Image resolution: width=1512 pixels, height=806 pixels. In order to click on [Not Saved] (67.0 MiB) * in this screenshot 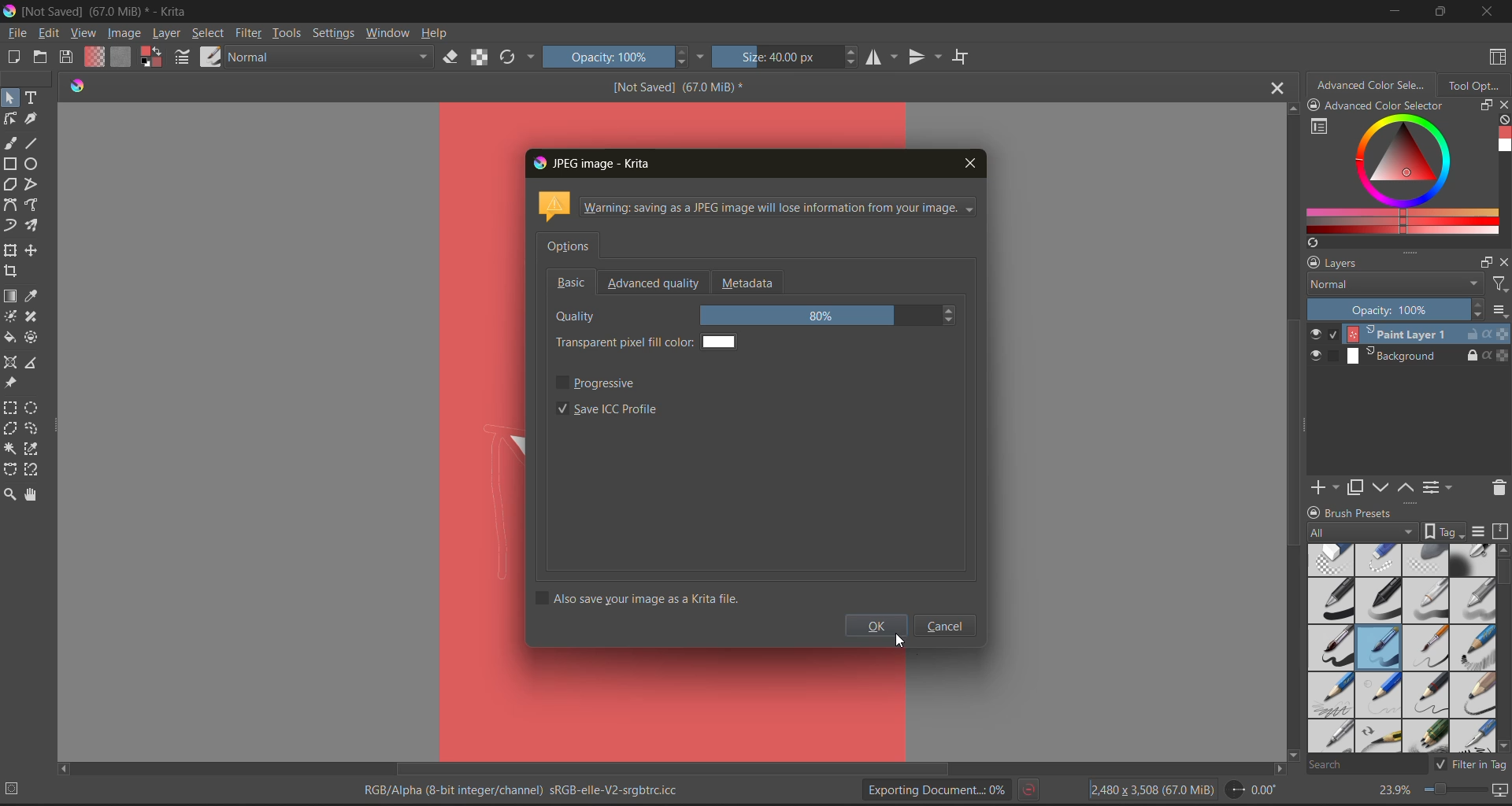, I will do `click(674, 88)`.